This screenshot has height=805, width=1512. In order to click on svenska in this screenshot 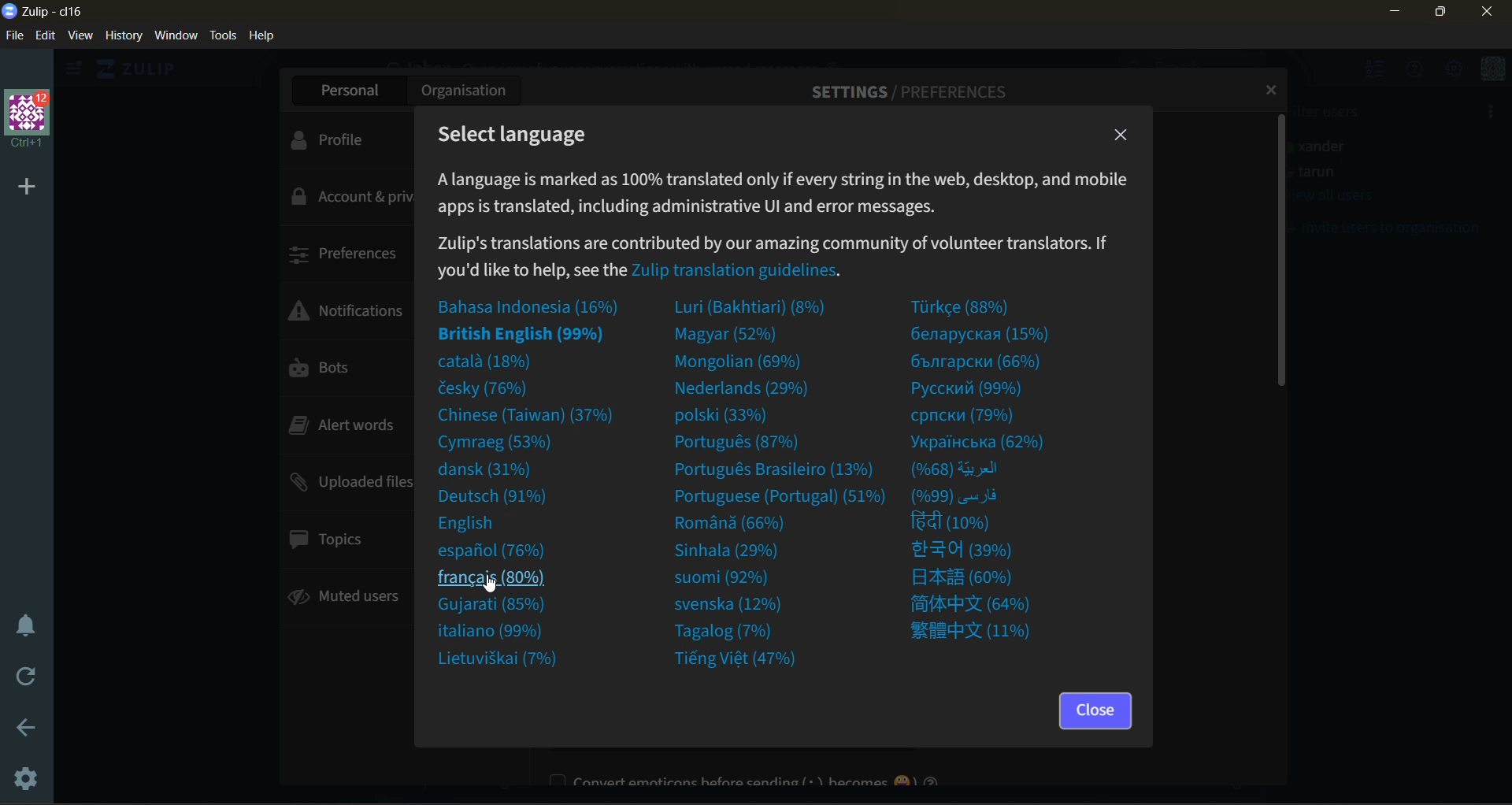, I will do `click(735, 603)`.